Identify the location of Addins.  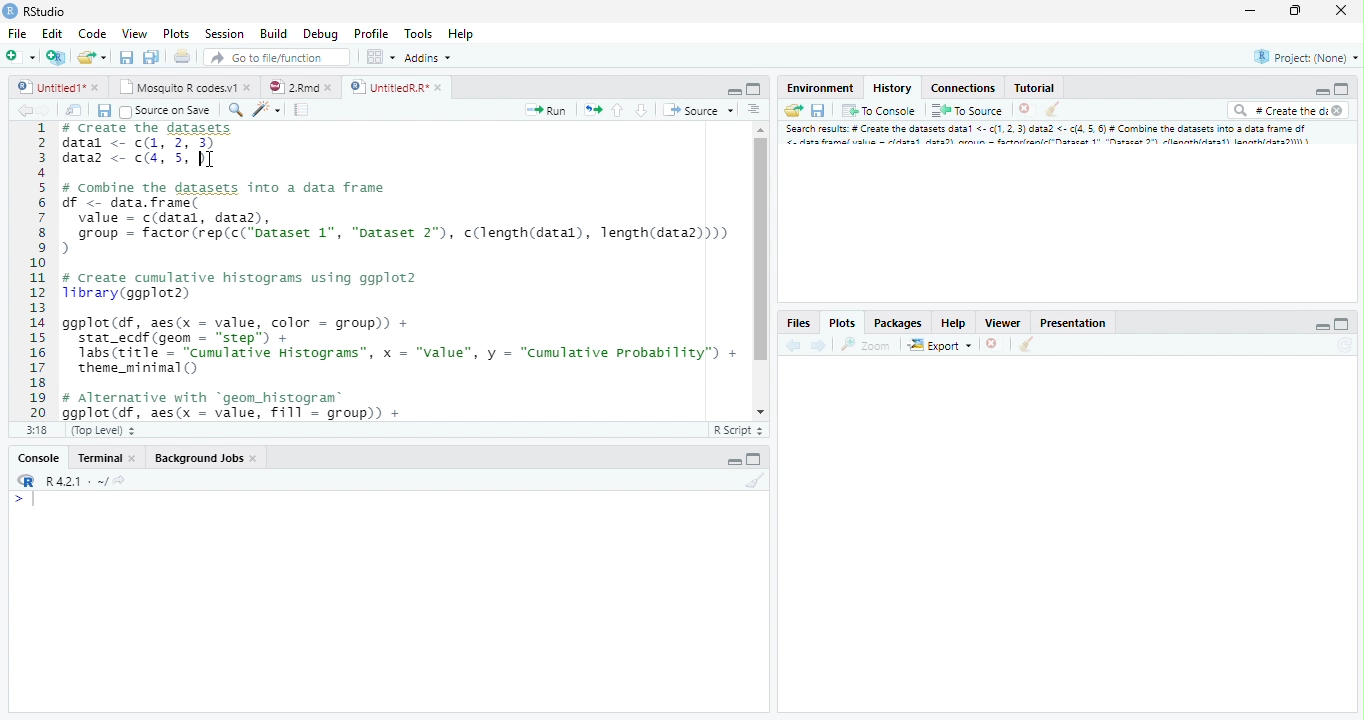
(429, 59).